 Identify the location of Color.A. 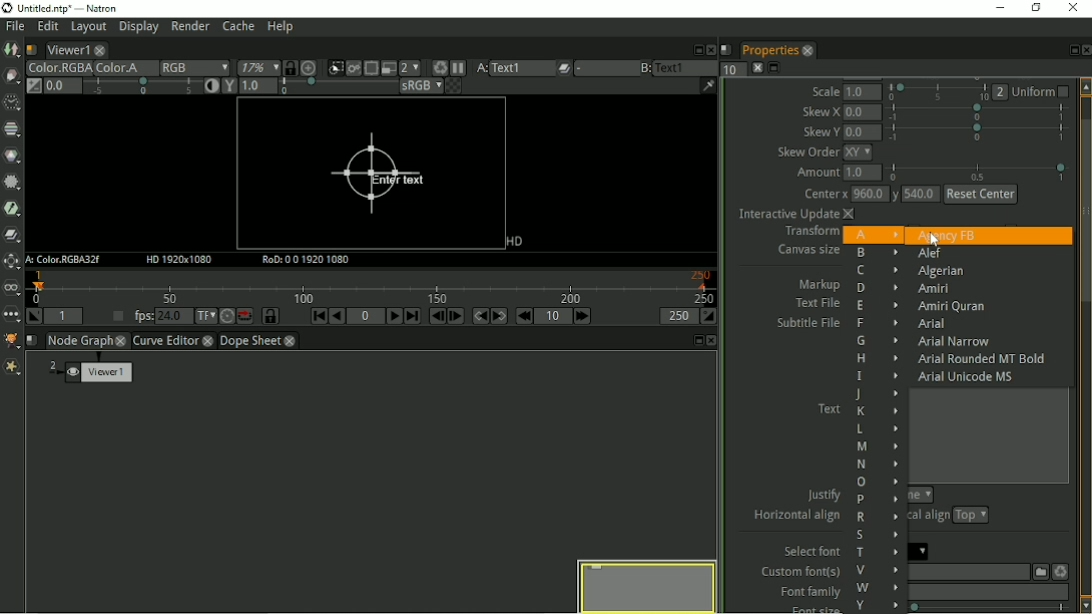
(124, 68).